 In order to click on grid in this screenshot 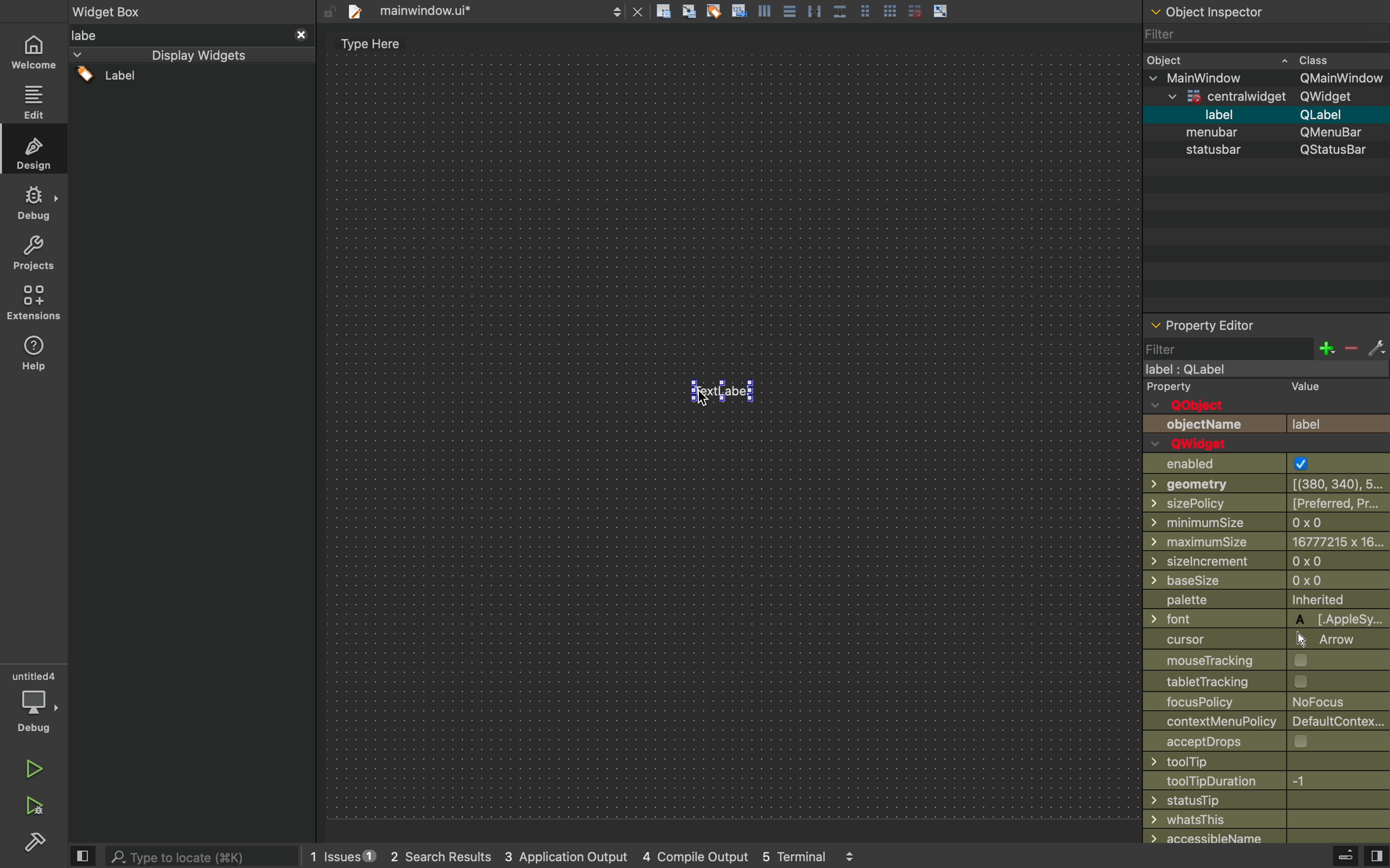, I will do `click(891, 9)`.